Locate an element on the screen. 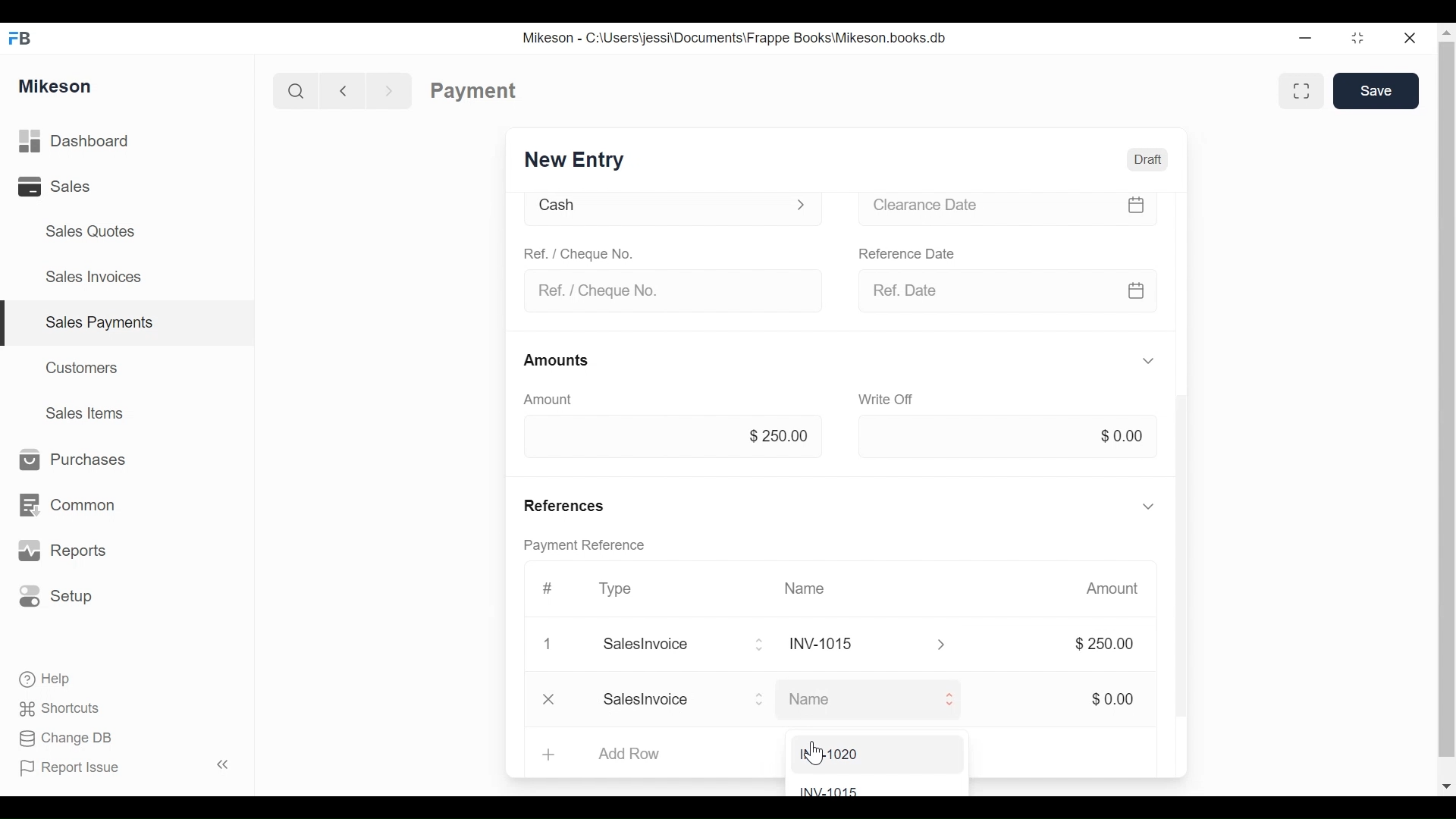 This screenshot has height=819, width=1456. Sales payments is located at coordinates (102, 322).